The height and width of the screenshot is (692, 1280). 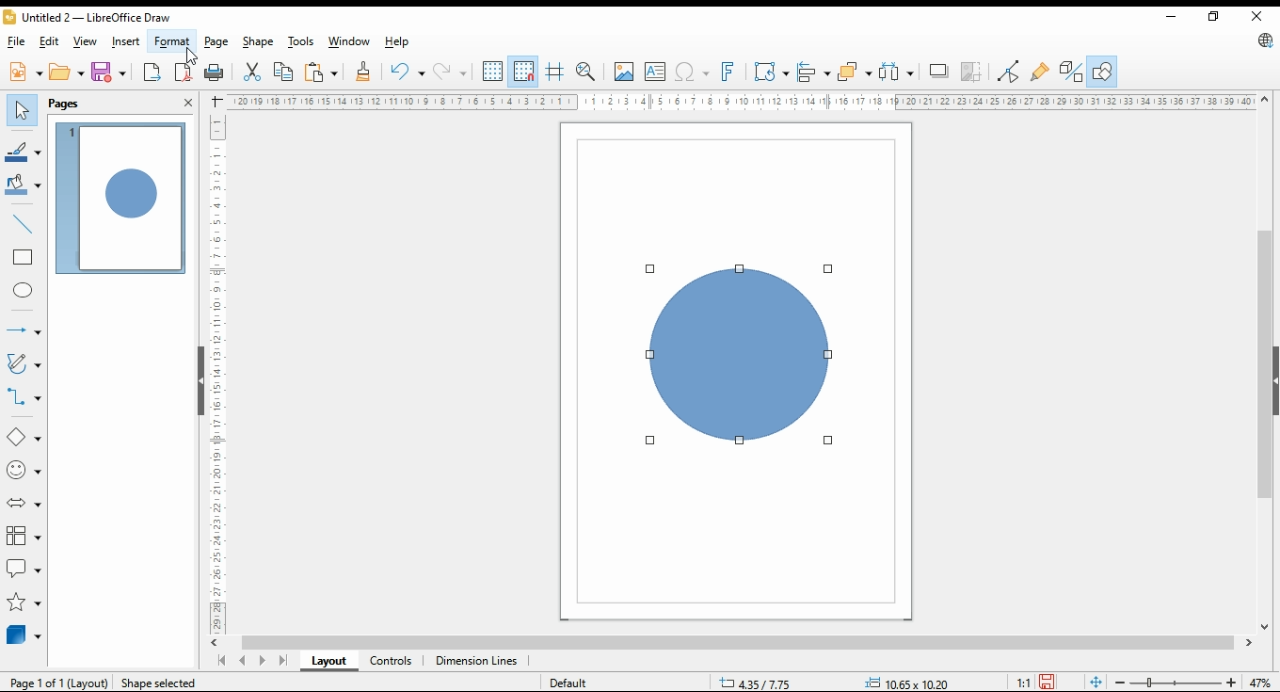 I want to click on curves and polygons, so click(x=23, y=364).